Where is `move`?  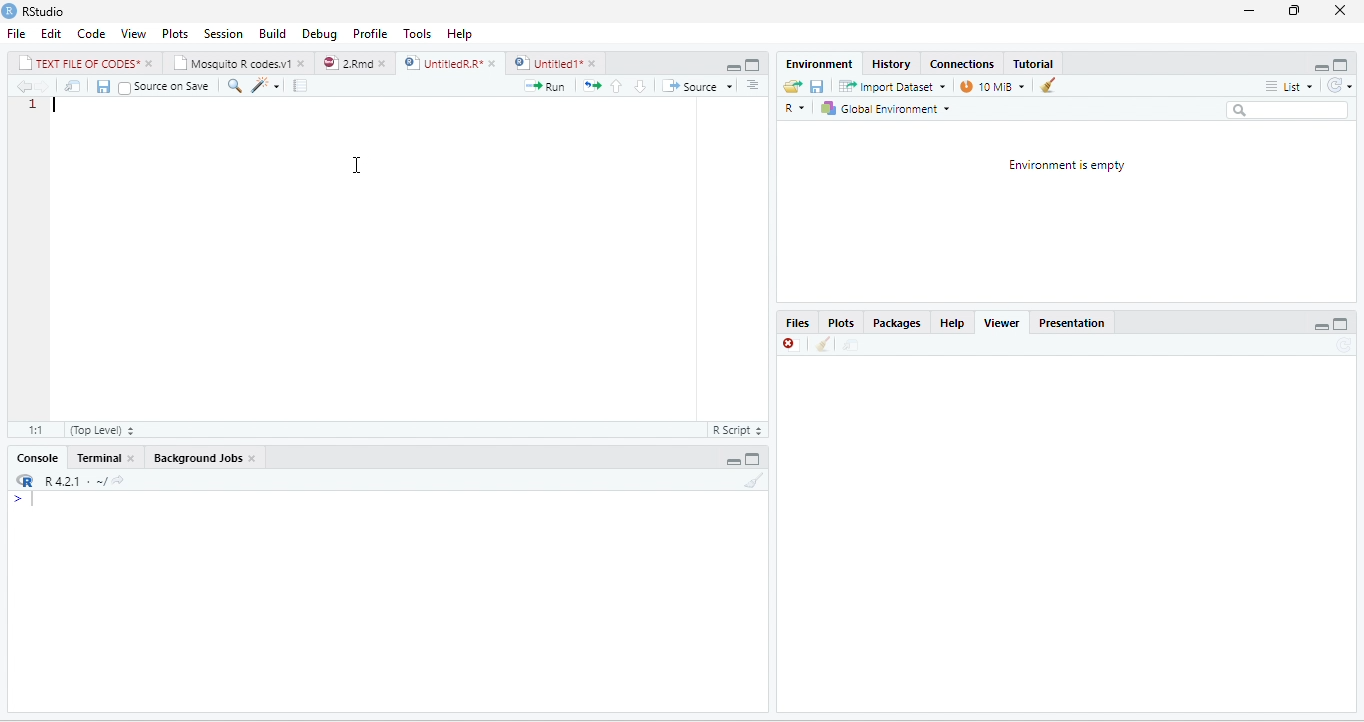
move is located at coordinates (73, 86).